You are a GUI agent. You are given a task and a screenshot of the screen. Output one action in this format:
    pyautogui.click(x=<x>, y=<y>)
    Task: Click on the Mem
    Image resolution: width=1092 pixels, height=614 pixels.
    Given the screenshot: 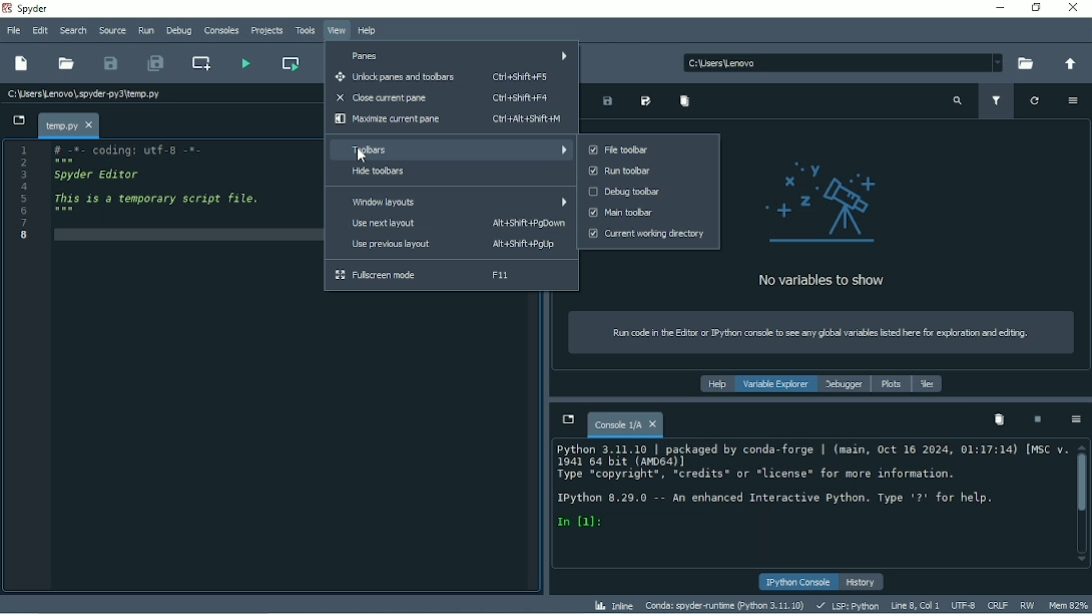 What is the action you would take?
    pyautogui.click(x=1068, y=606)
    